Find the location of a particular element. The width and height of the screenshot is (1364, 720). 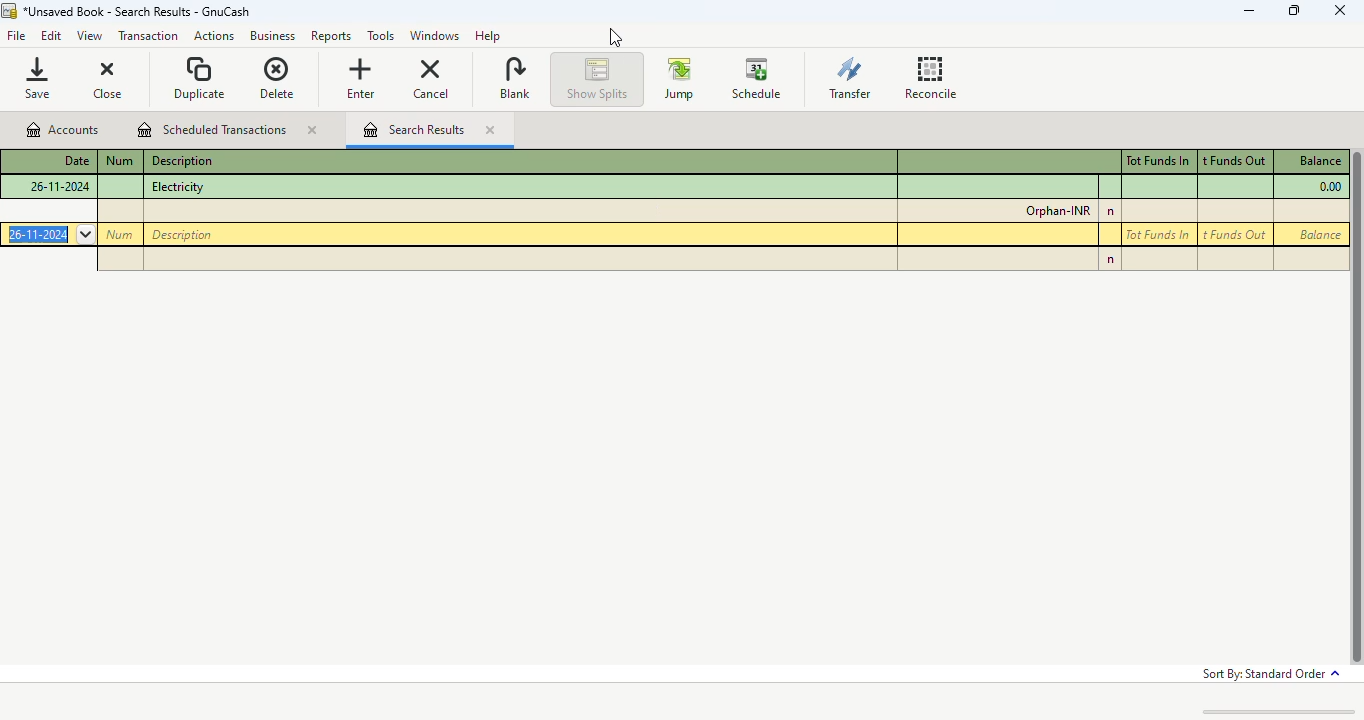

help is located at coordinates (490, 35).